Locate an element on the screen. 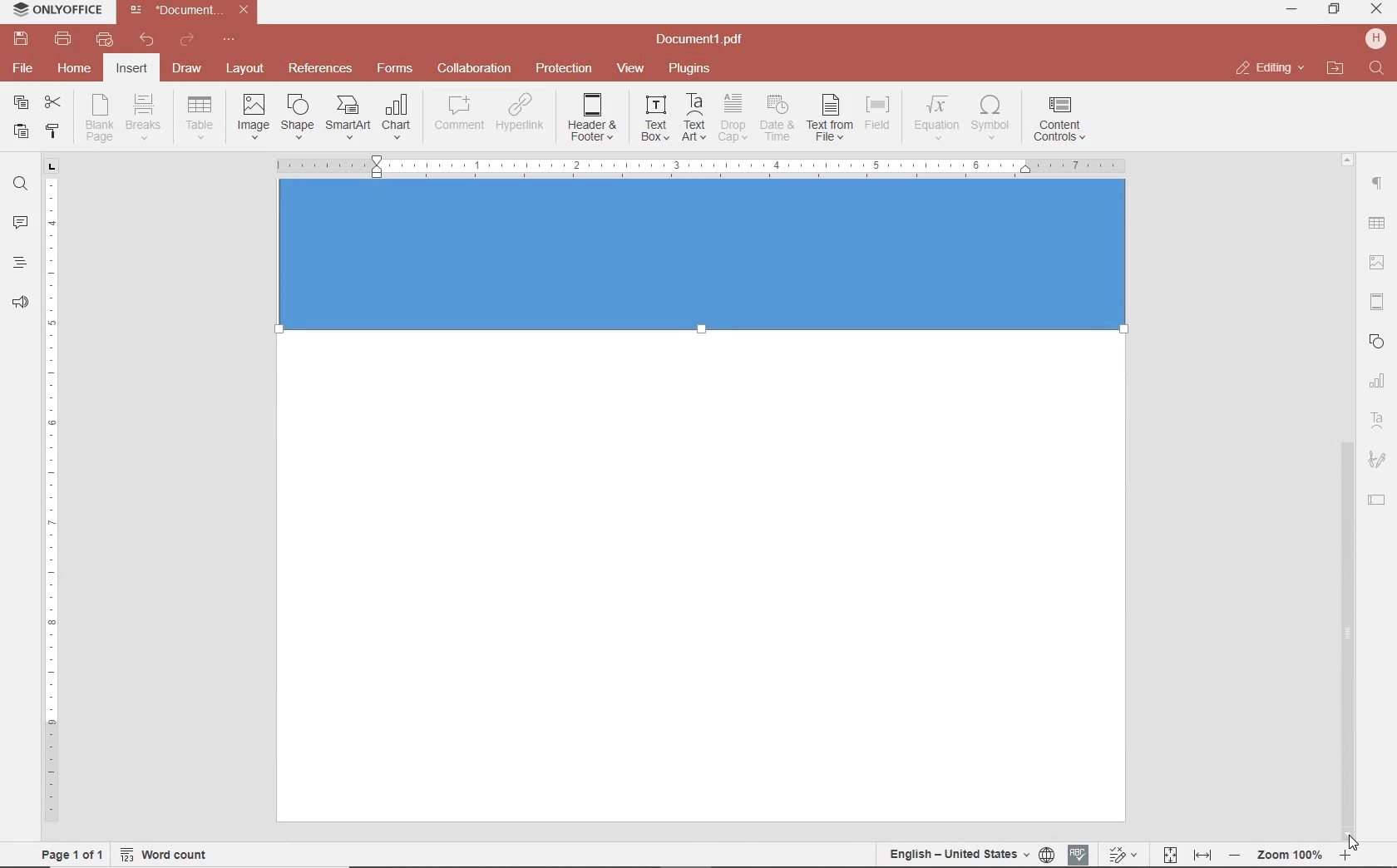 The image size is (1397, 868).  is located at coordinates (707, 268).